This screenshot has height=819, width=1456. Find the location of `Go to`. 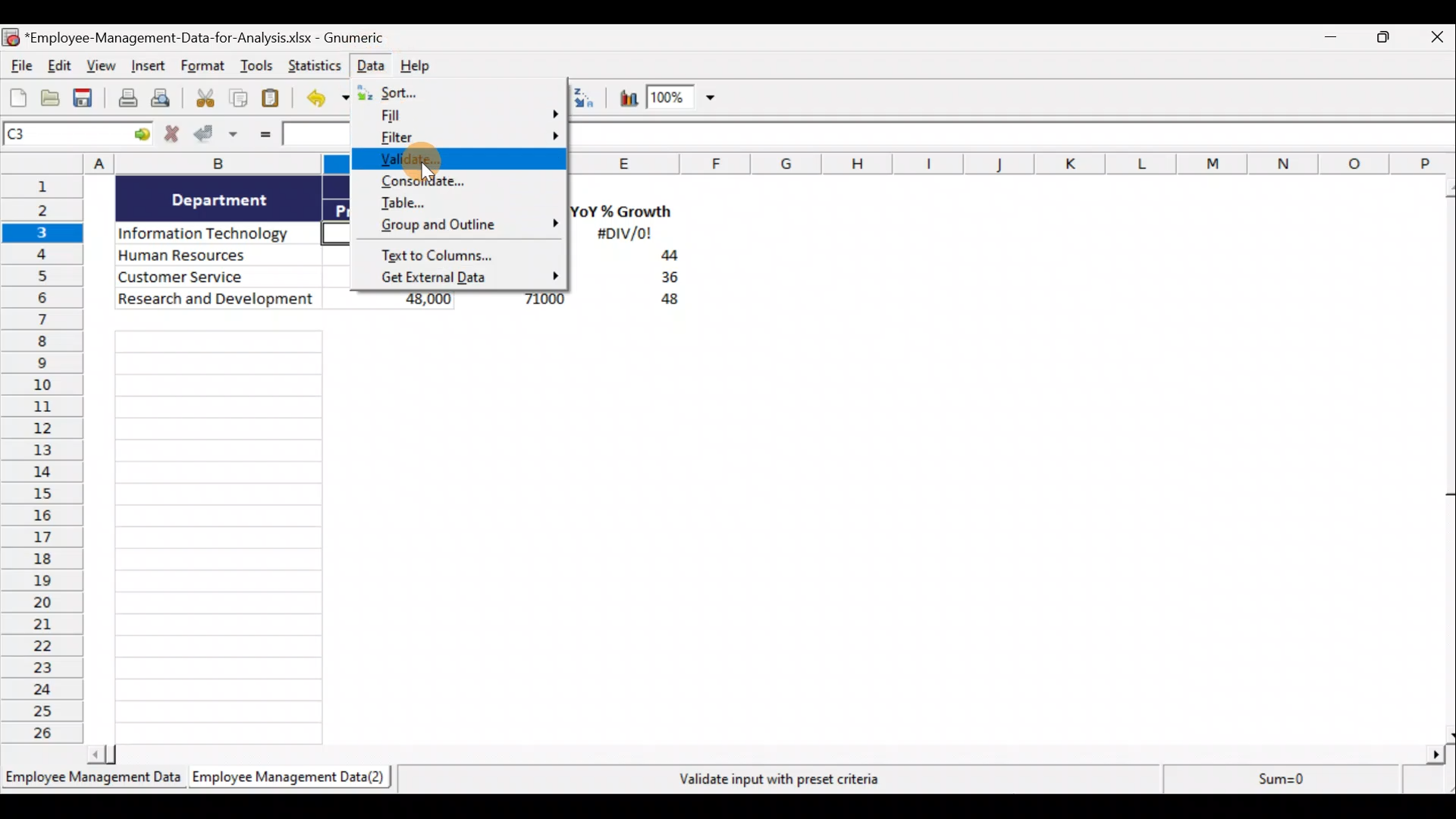

Go to is located at coordinates (142, 135).